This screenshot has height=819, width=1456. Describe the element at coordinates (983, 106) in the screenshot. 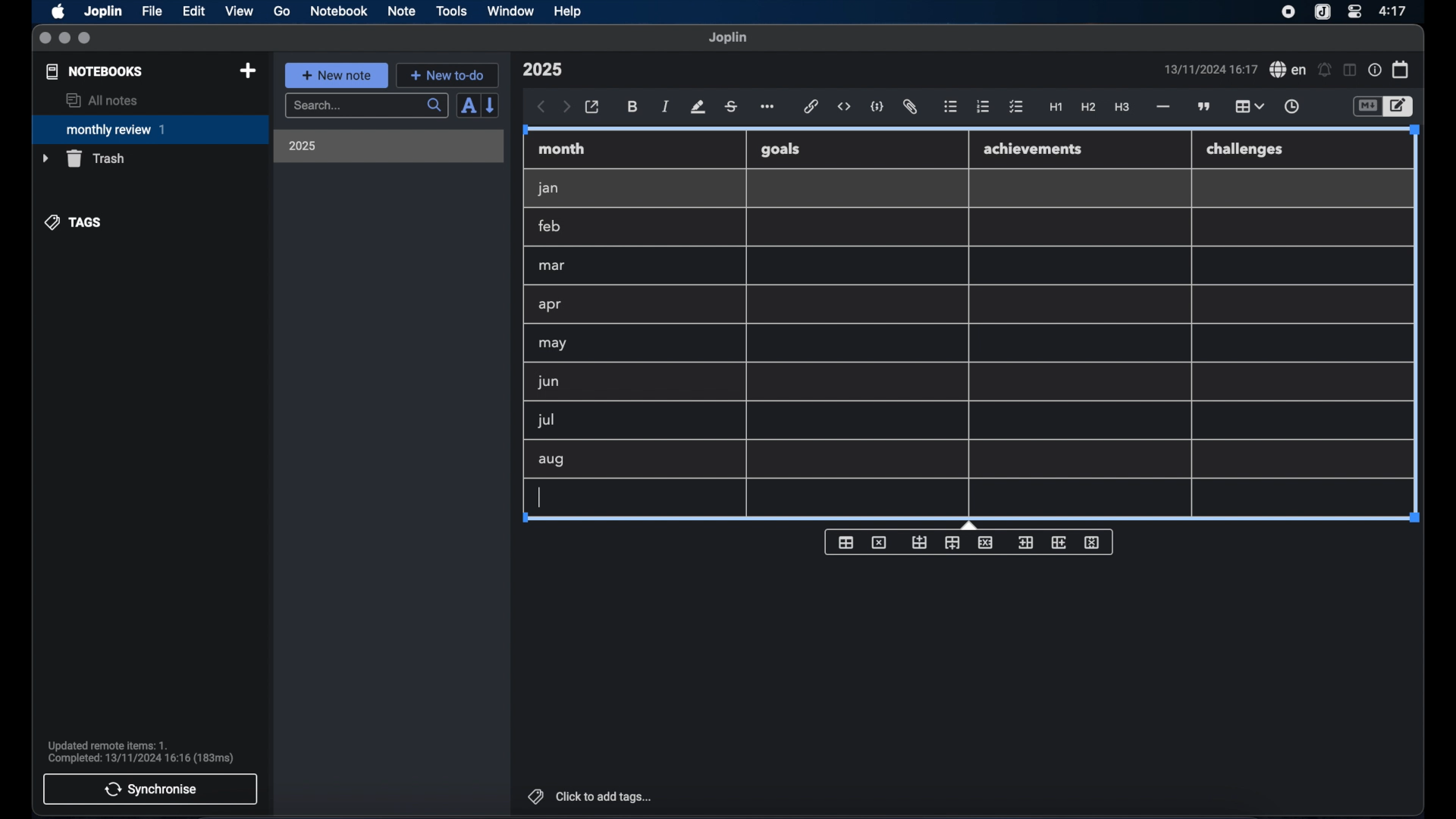

I see `numbered list` at that location.